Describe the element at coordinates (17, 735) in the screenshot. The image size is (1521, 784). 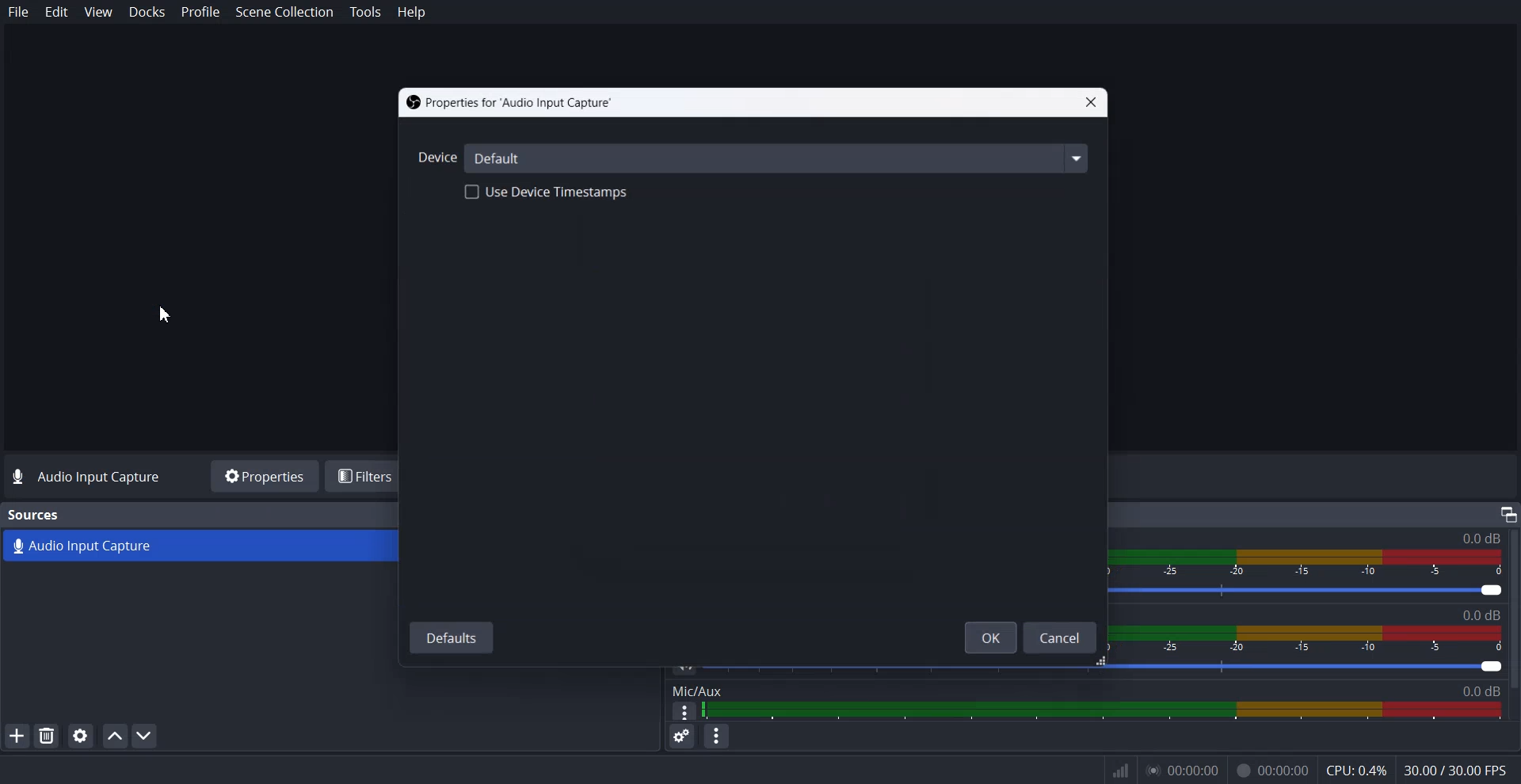
I see `Add Source` at that location.